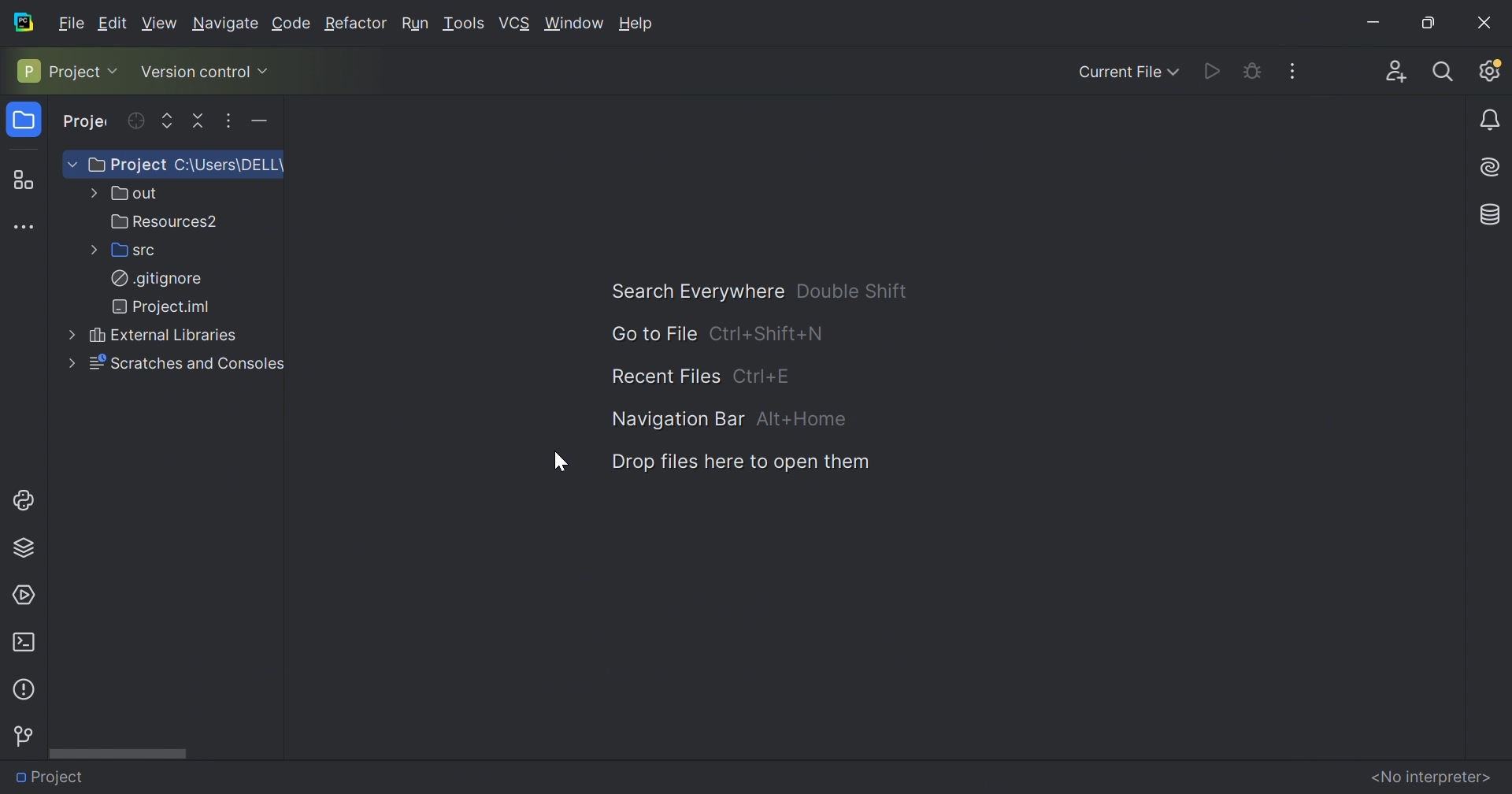  Describe the element at coordinates (557, 461) in the screenshot. I see `Cursor` at that location.